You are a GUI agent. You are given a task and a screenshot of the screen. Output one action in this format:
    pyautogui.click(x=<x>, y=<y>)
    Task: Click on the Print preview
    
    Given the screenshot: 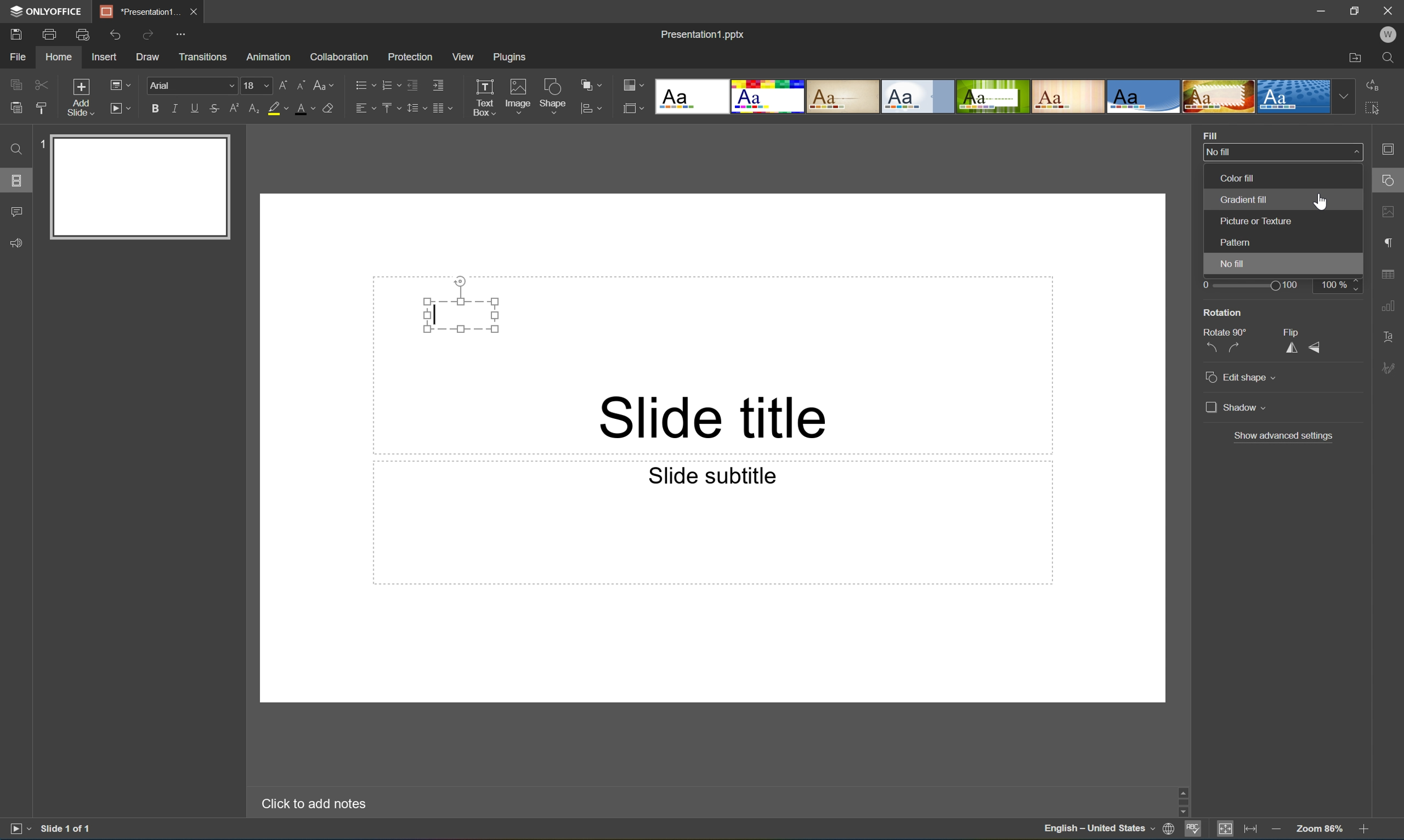 What is the action you would take?
    pyautogui.click(x=83, y=35)
    